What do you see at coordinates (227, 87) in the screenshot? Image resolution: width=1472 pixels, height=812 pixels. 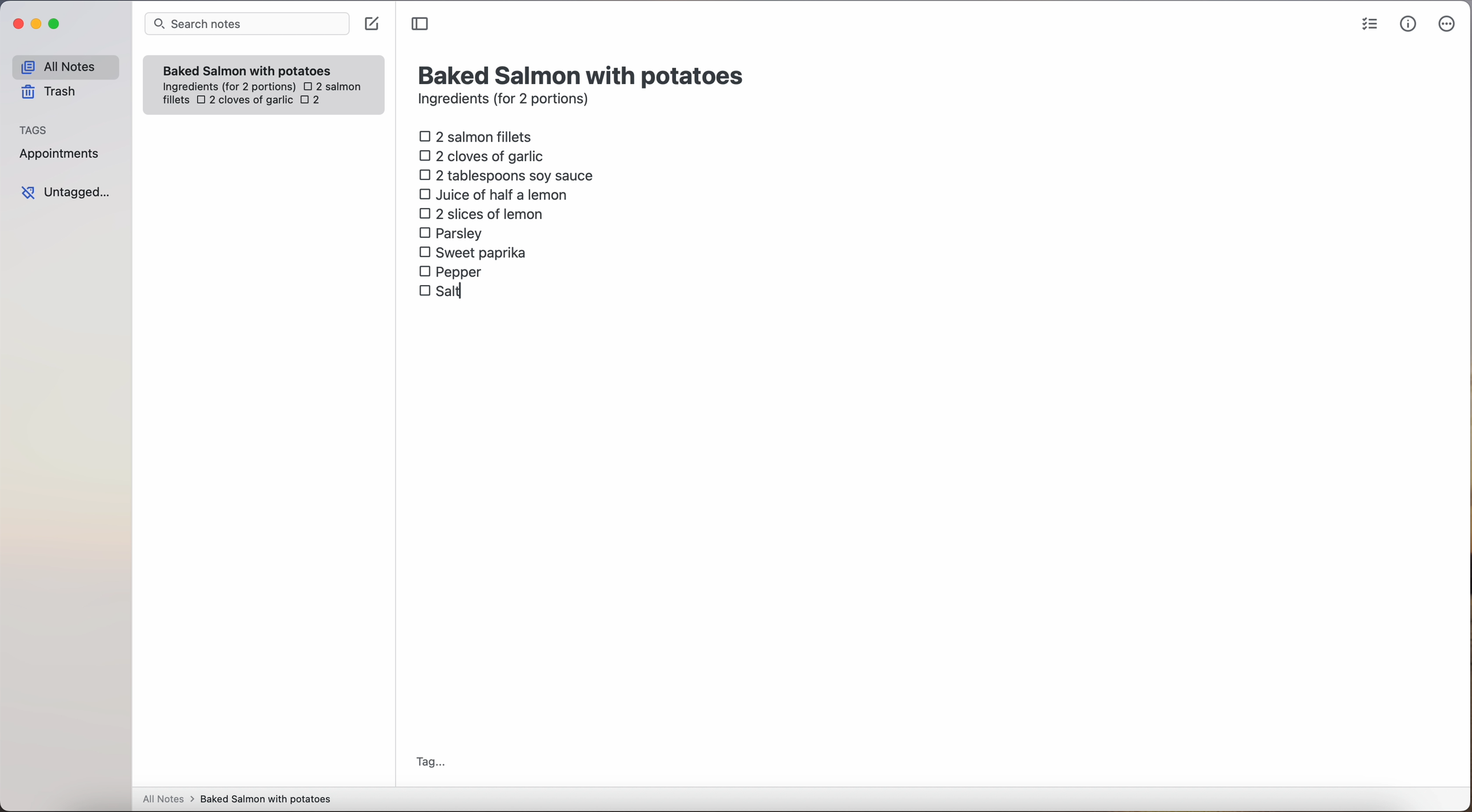 I see `ingredientes (for 2 portions)` at bounding box center [227, 87].